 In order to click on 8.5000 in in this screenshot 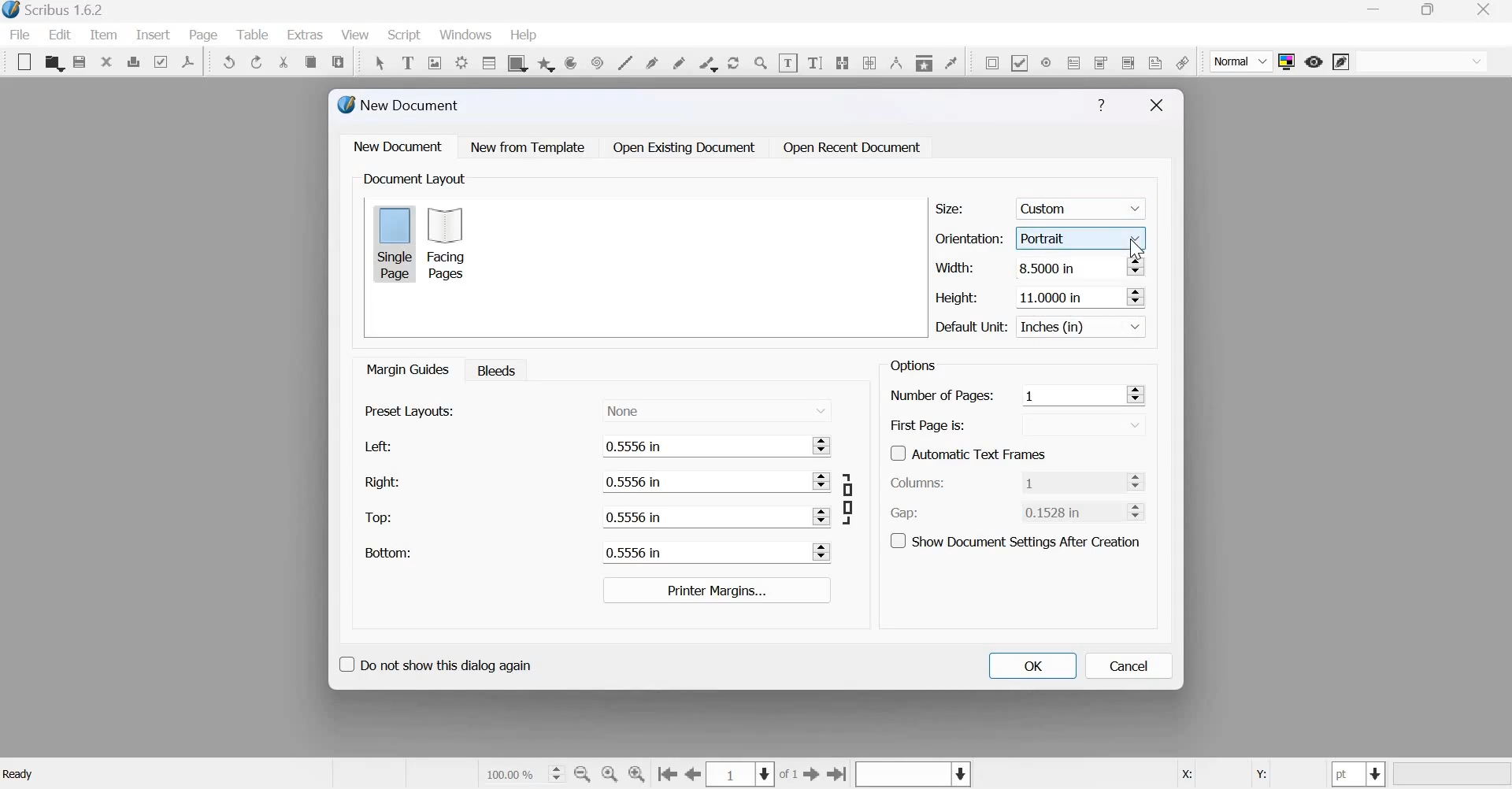, I will do `click(1065, 268)`.